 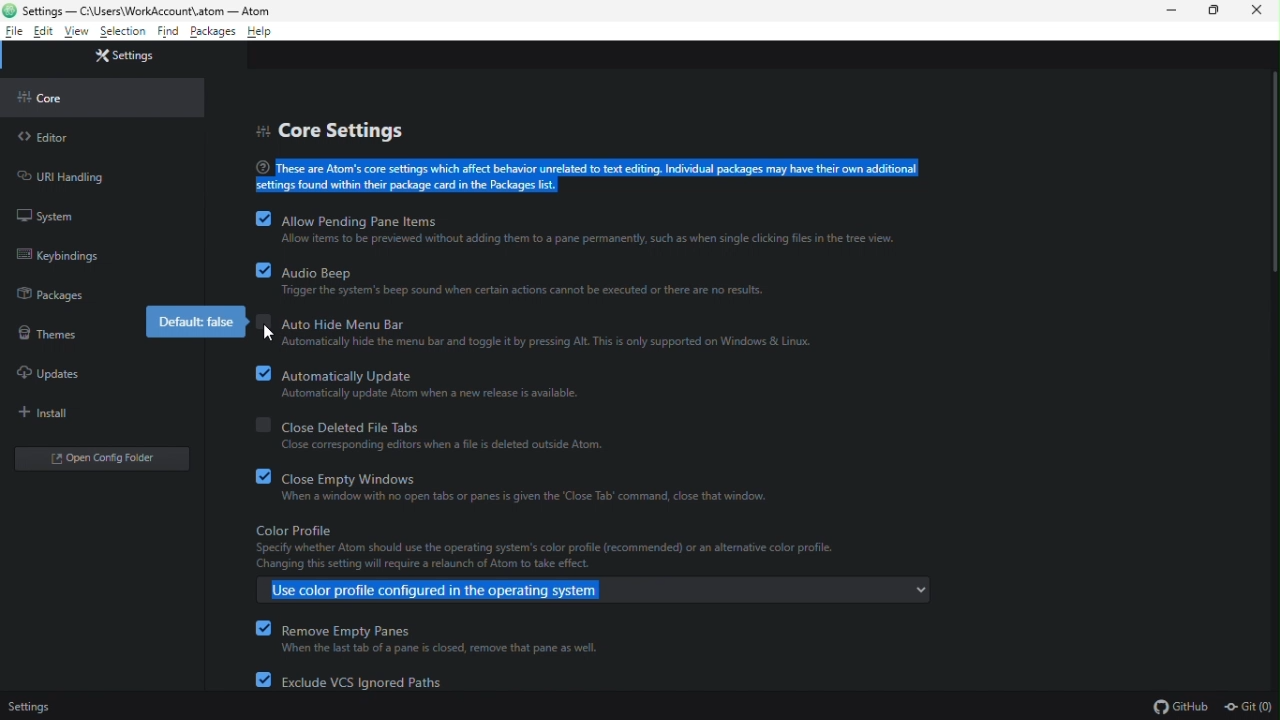 What do you see at coordinates (259, 271) in the screenshot?
I see `checkbox` at bounding box center [259, 271].